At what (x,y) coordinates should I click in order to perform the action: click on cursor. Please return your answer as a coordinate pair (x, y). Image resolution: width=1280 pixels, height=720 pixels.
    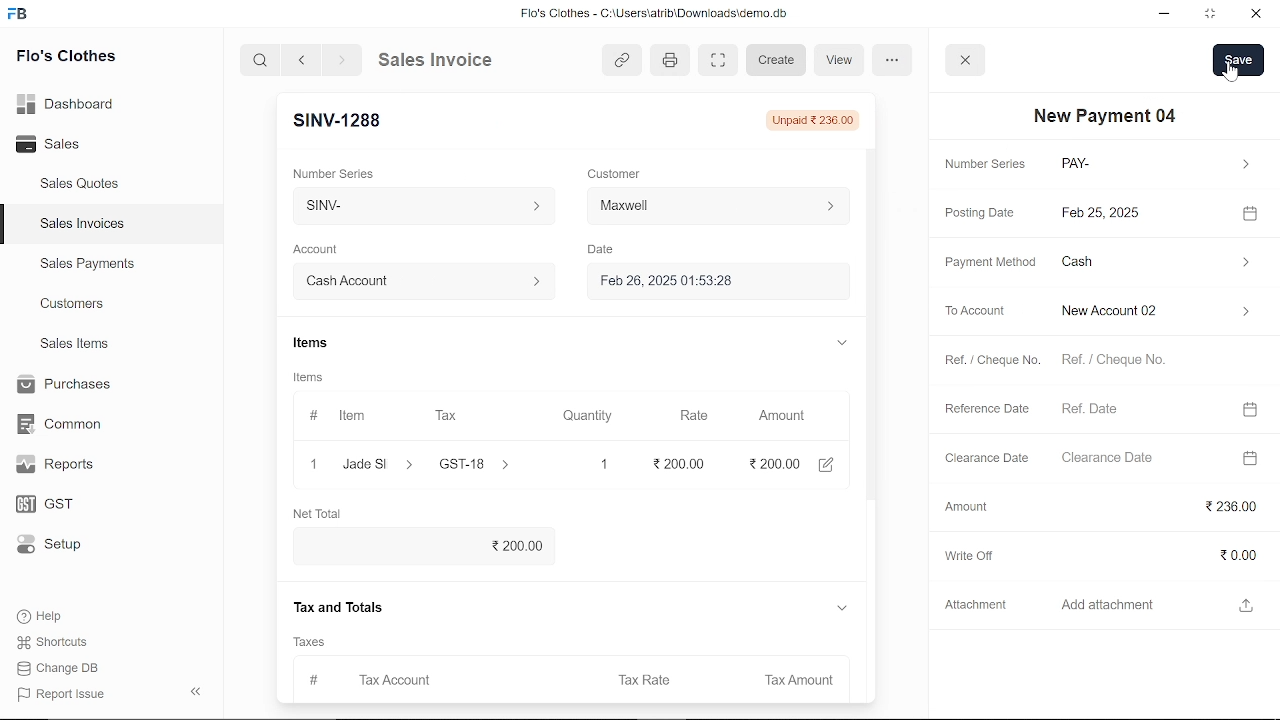
    Looking at the image, I should click on (1231, 71).